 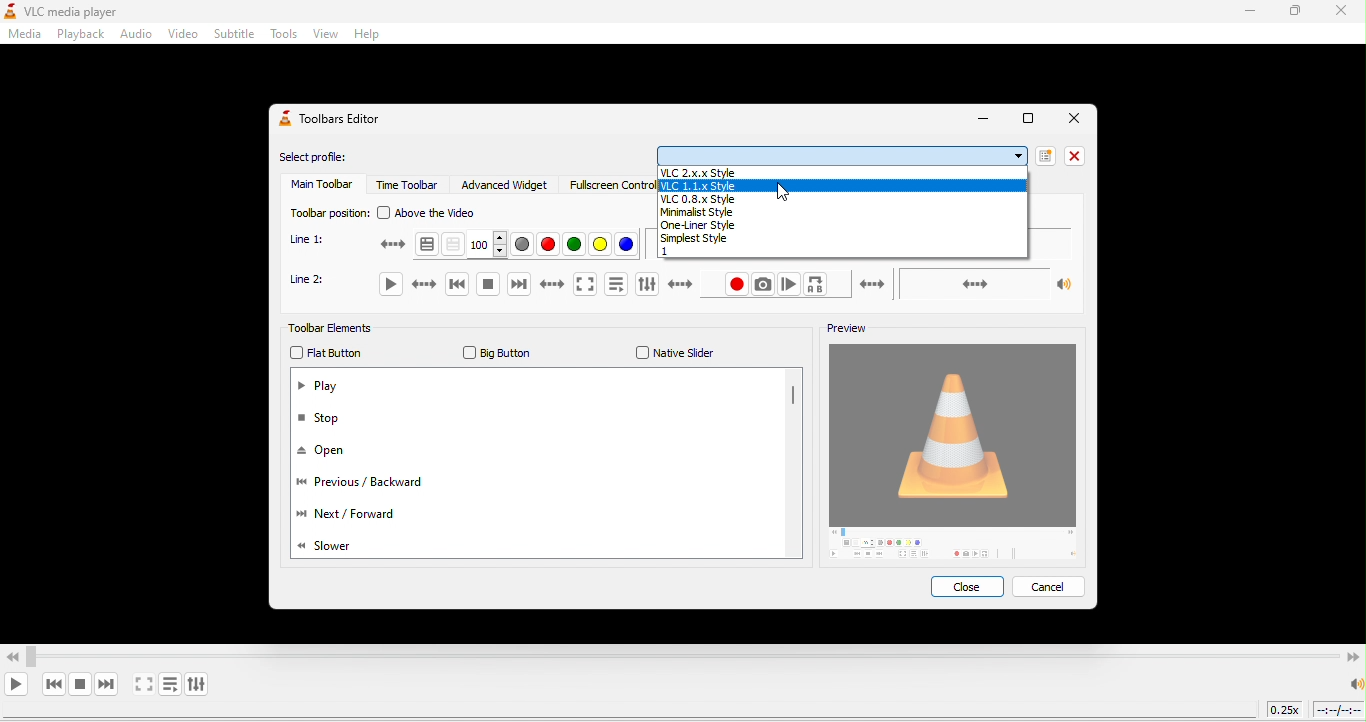 I want to click on yellow, so click(x=600, y=245).